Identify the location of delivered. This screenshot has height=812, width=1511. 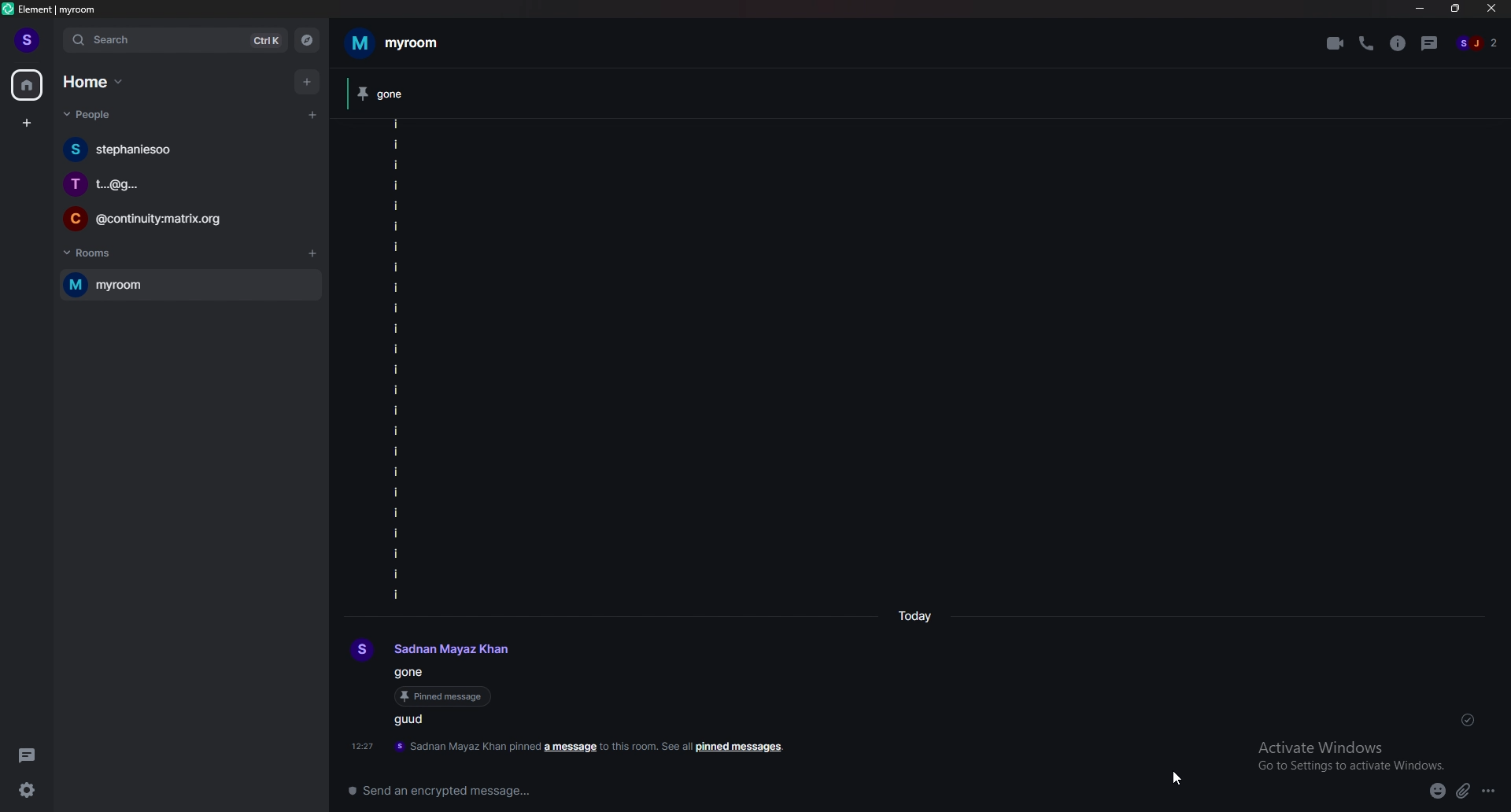
(1475, 722).